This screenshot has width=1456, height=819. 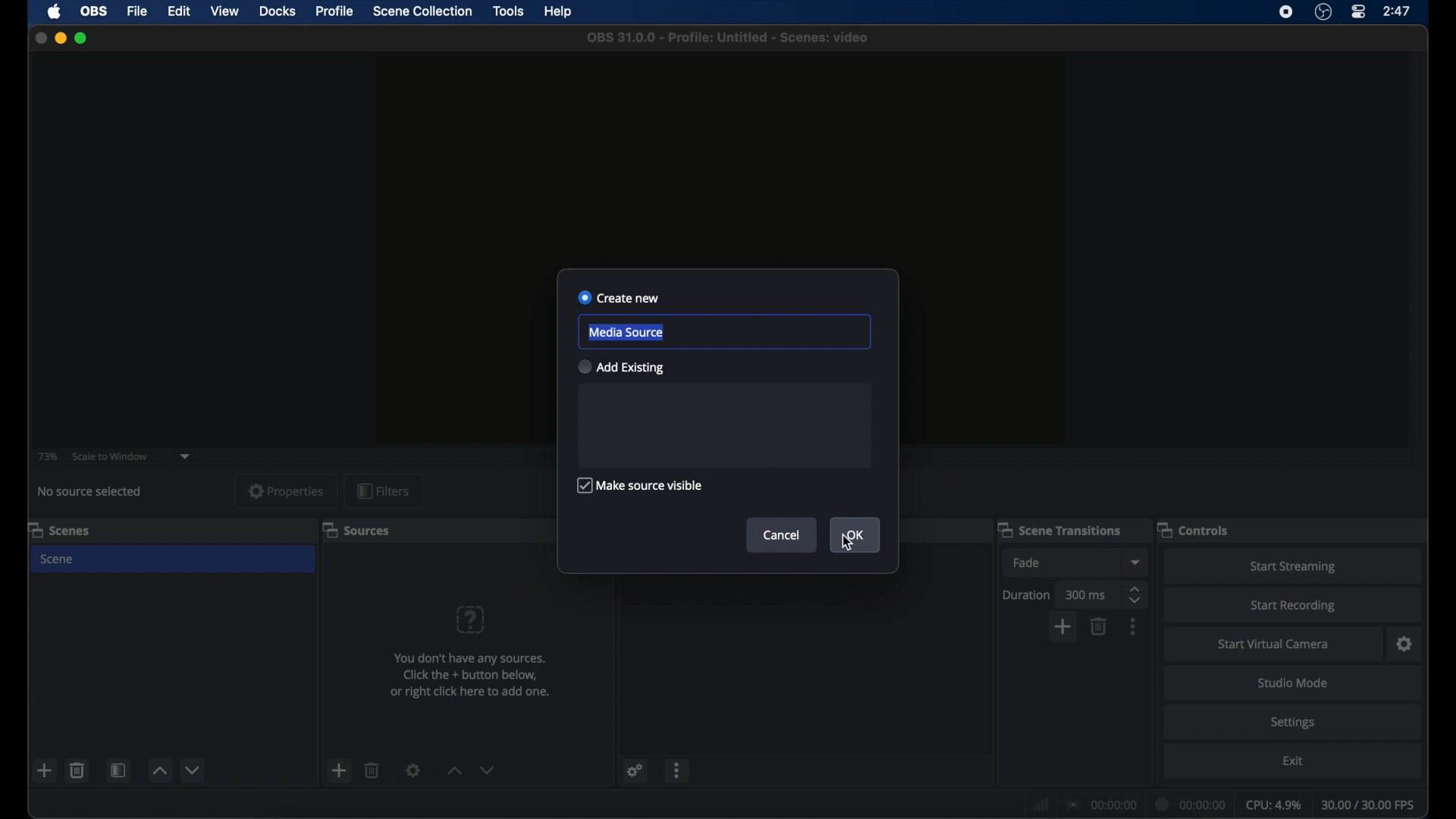 What do you see at coordinates (1025, 595) in the screenshot?
I see `duration` at bounding box center [1025, 595].